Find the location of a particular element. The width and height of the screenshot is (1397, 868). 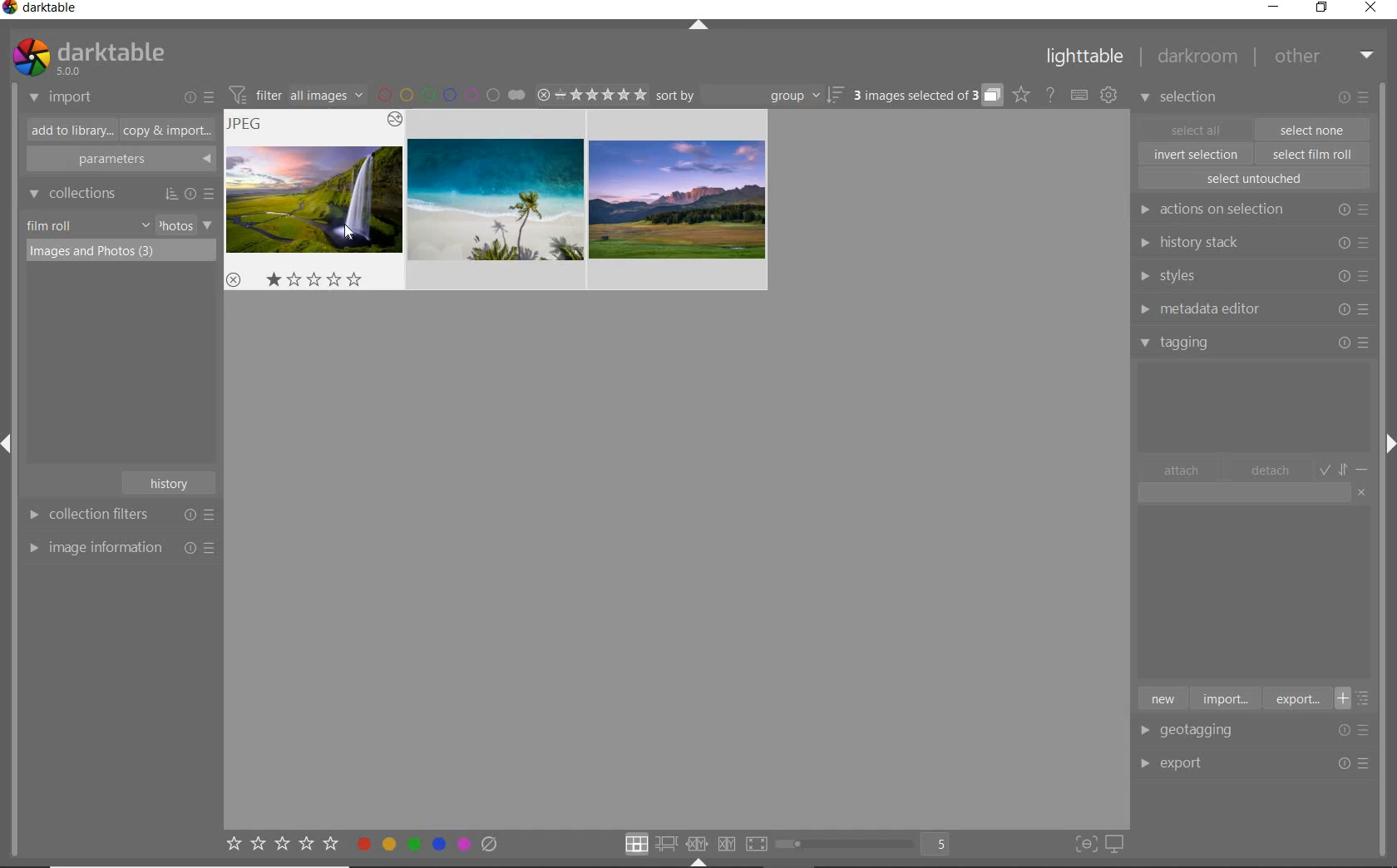

actions on selection is located at coordinates (1251, 210).